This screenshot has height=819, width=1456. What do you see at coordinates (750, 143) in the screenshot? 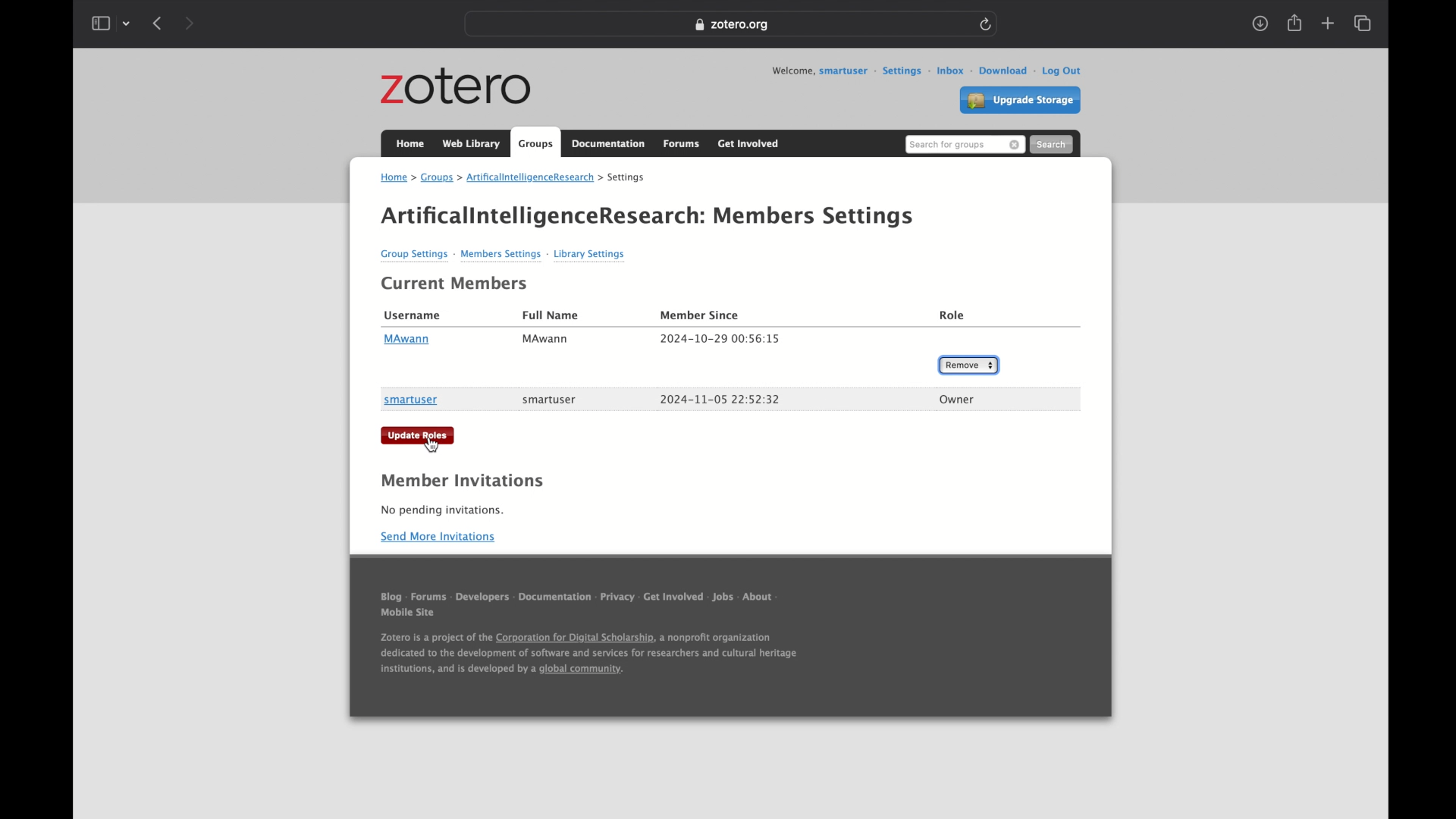
I see `get involved` at bounding box center [750, 143].